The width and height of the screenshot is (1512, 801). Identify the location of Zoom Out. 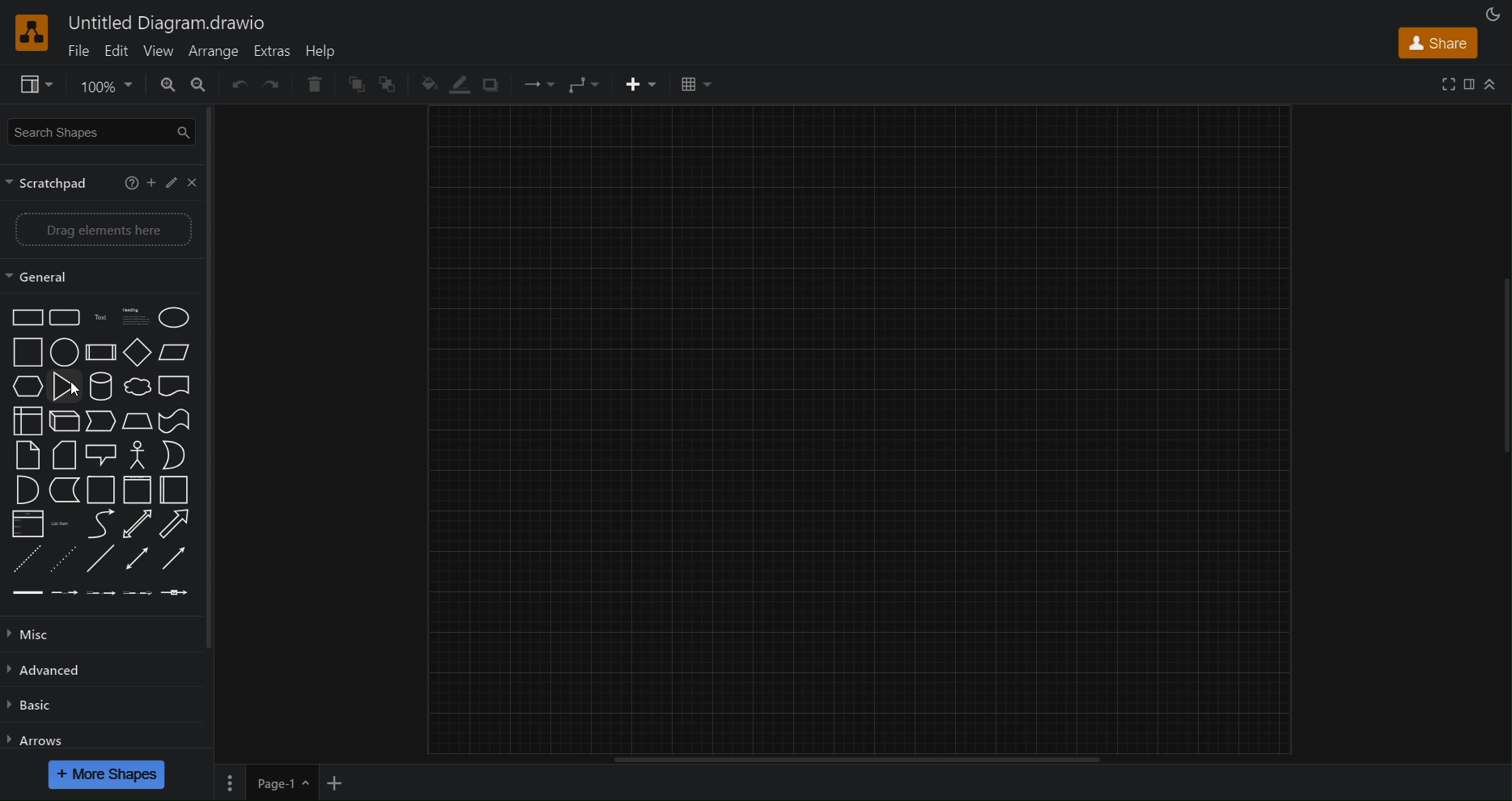
(204, 85).